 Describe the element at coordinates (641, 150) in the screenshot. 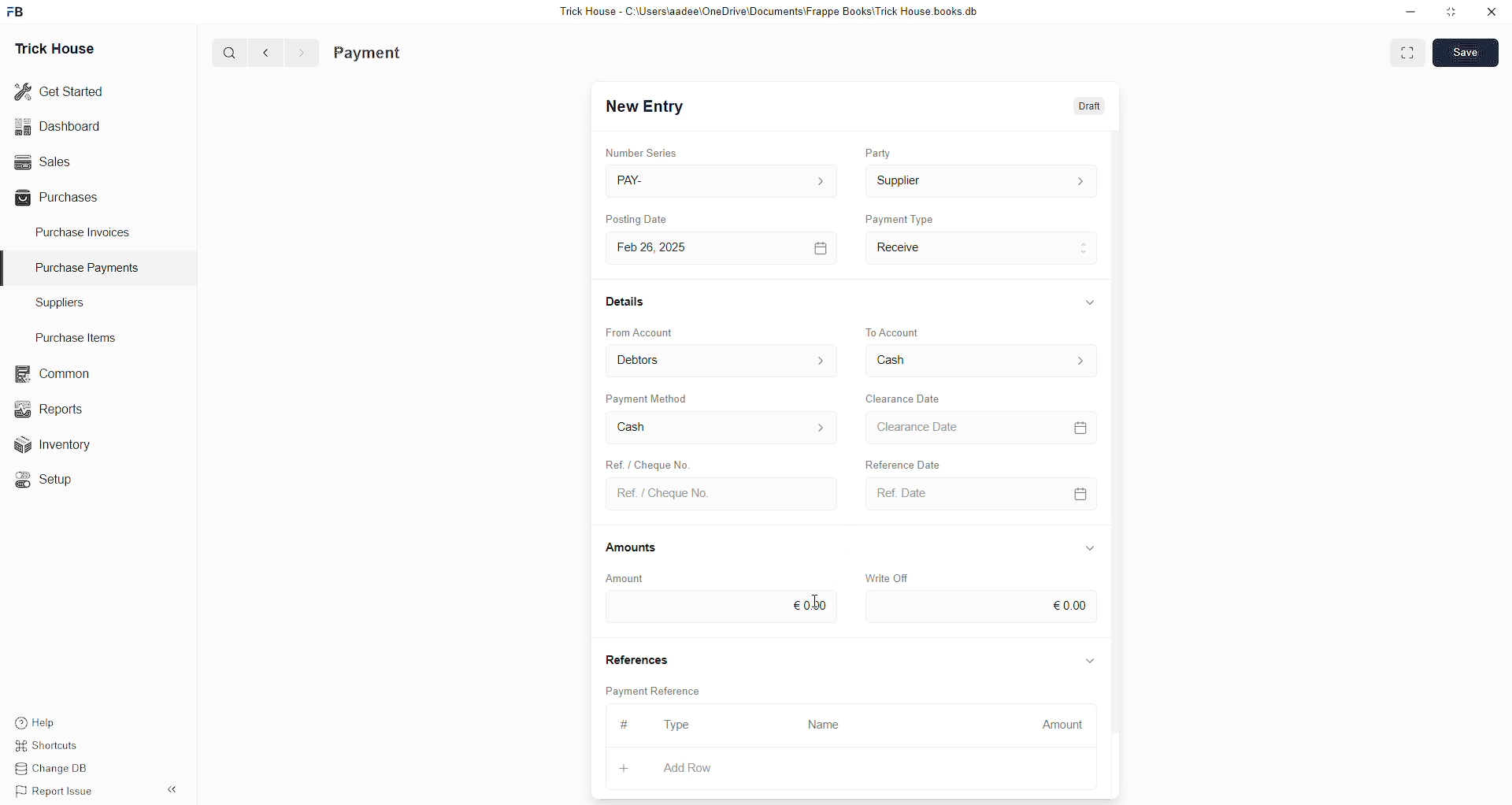

I see `Number Series` at that location.